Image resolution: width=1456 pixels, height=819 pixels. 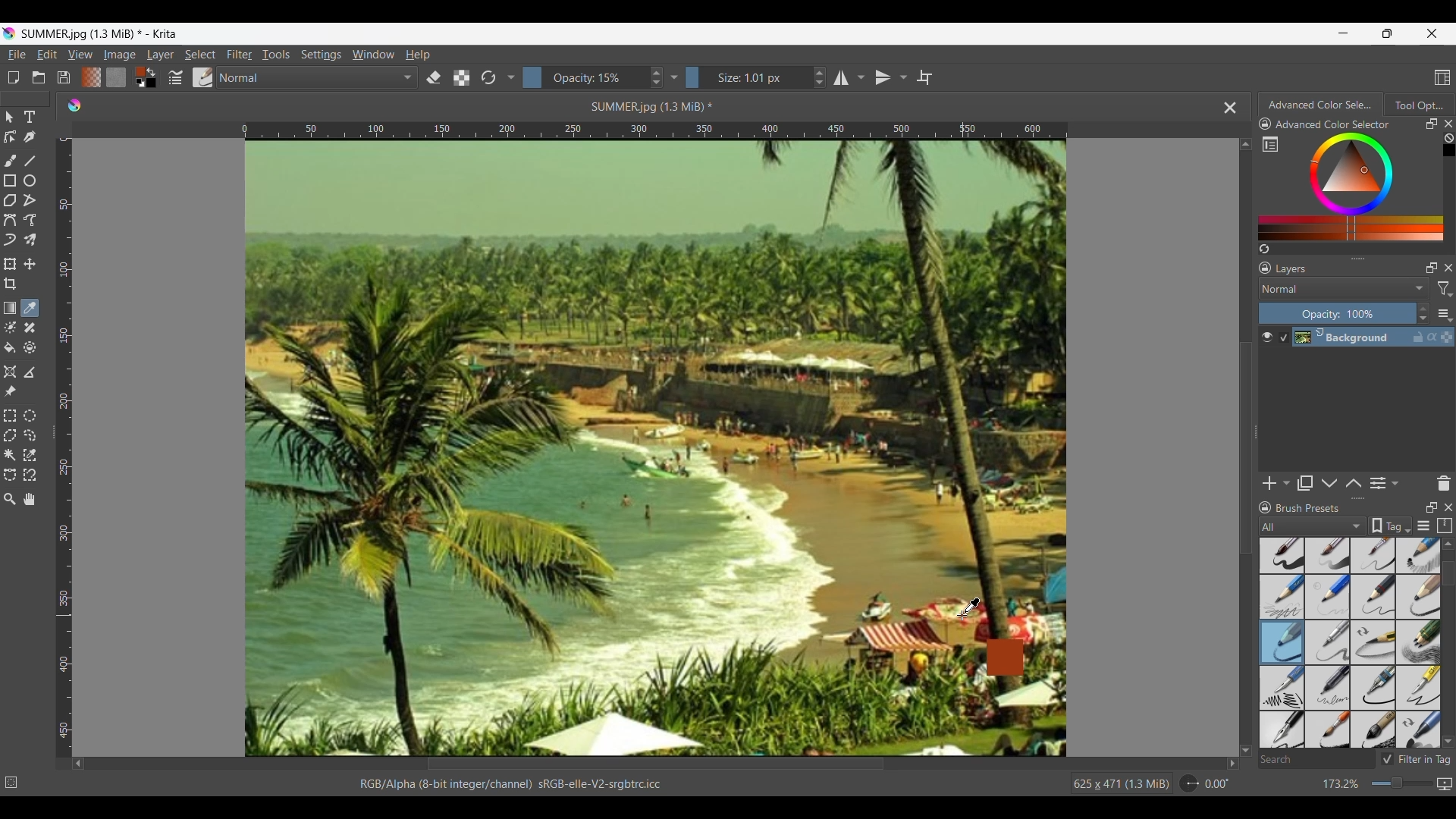 What do you see at coordinates (10, 201) in the screenshot?
I see `Polygon tool` at bounding box center [10, 201].